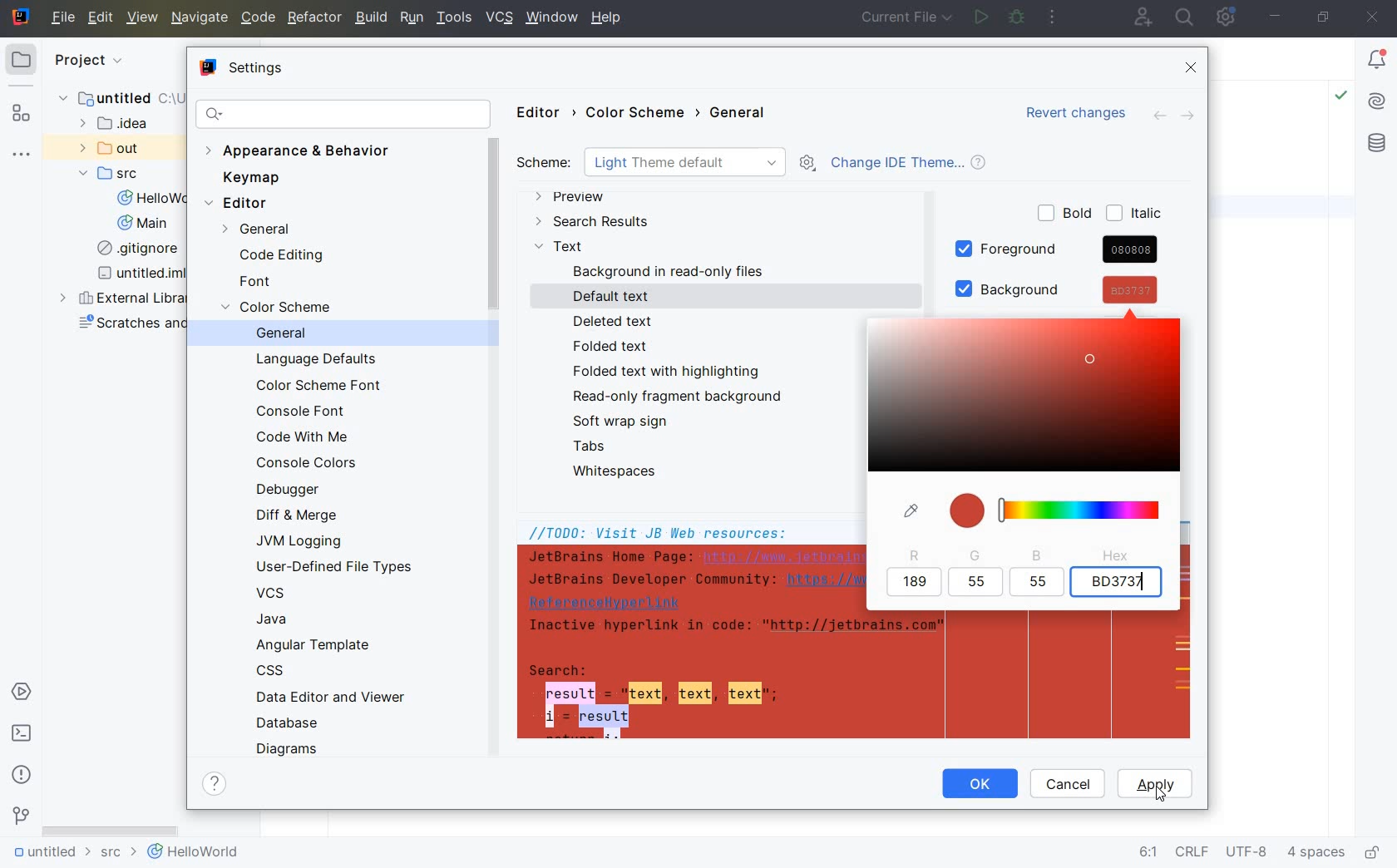 This screenshot has width=1397, height=868. What do you see at coordinates (1014, 432) in the screenshot?
I see `COLOR PIGMENTS` at bounding box center [1014, 432].